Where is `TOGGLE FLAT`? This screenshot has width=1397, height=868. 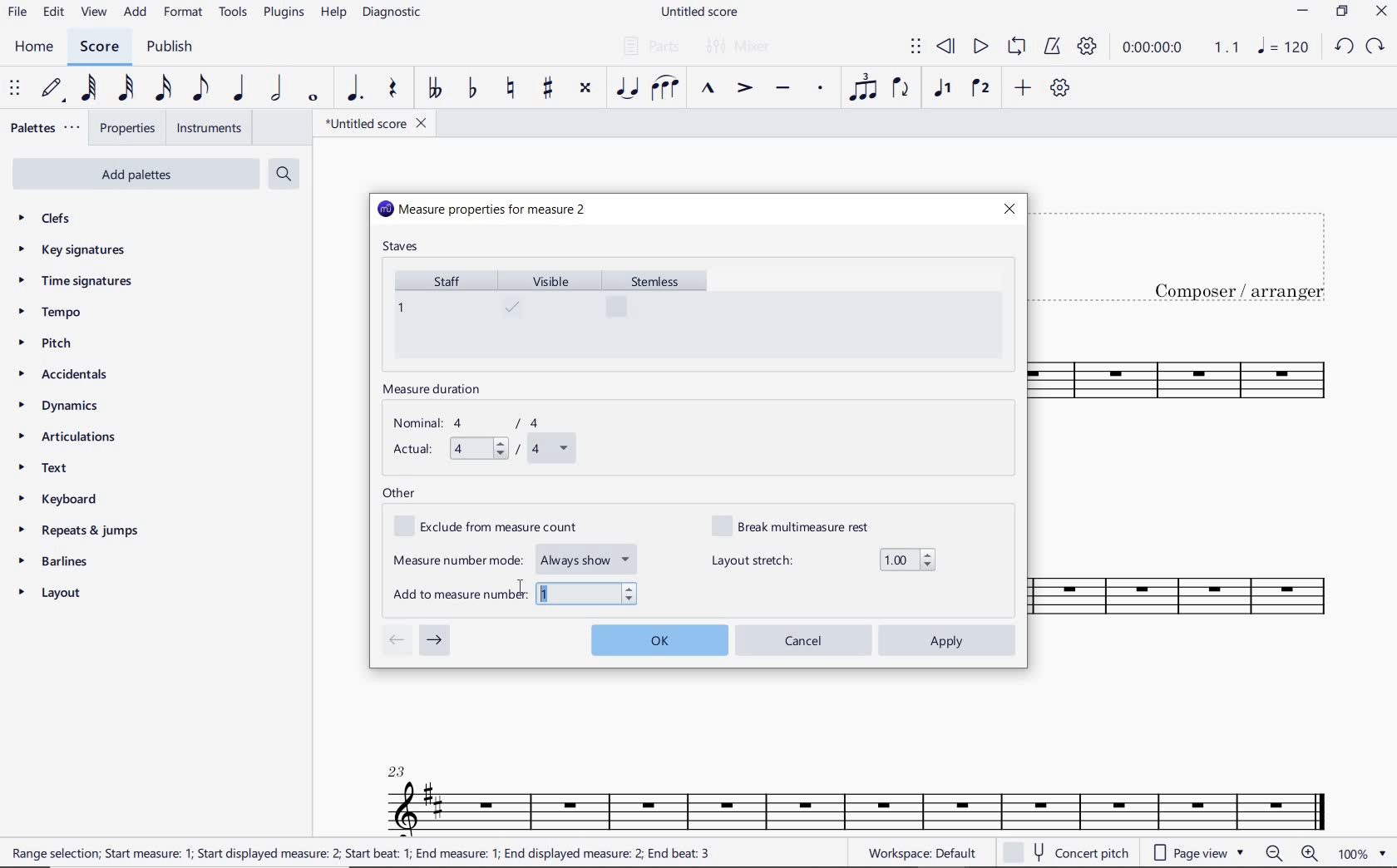
TOGGLE FLAT is located at coordinates (473, 90).